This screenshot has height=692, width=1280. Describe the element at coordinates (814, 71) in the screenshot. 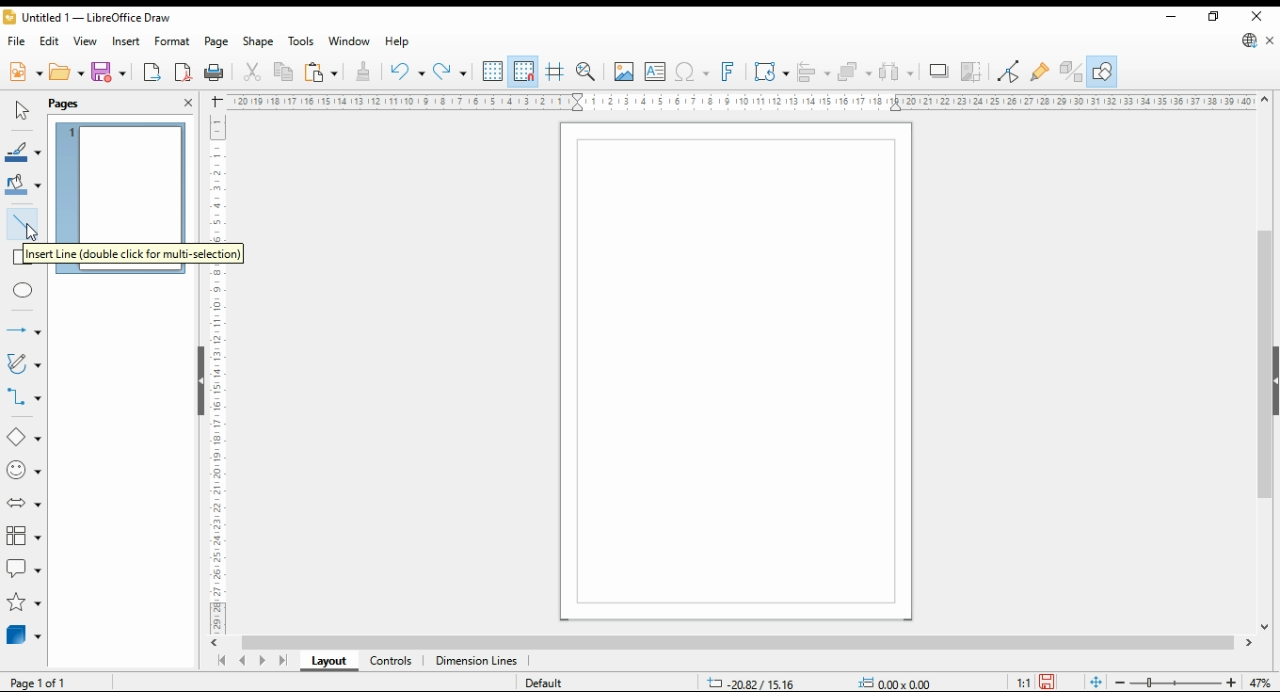

I see `align objects` at that location.